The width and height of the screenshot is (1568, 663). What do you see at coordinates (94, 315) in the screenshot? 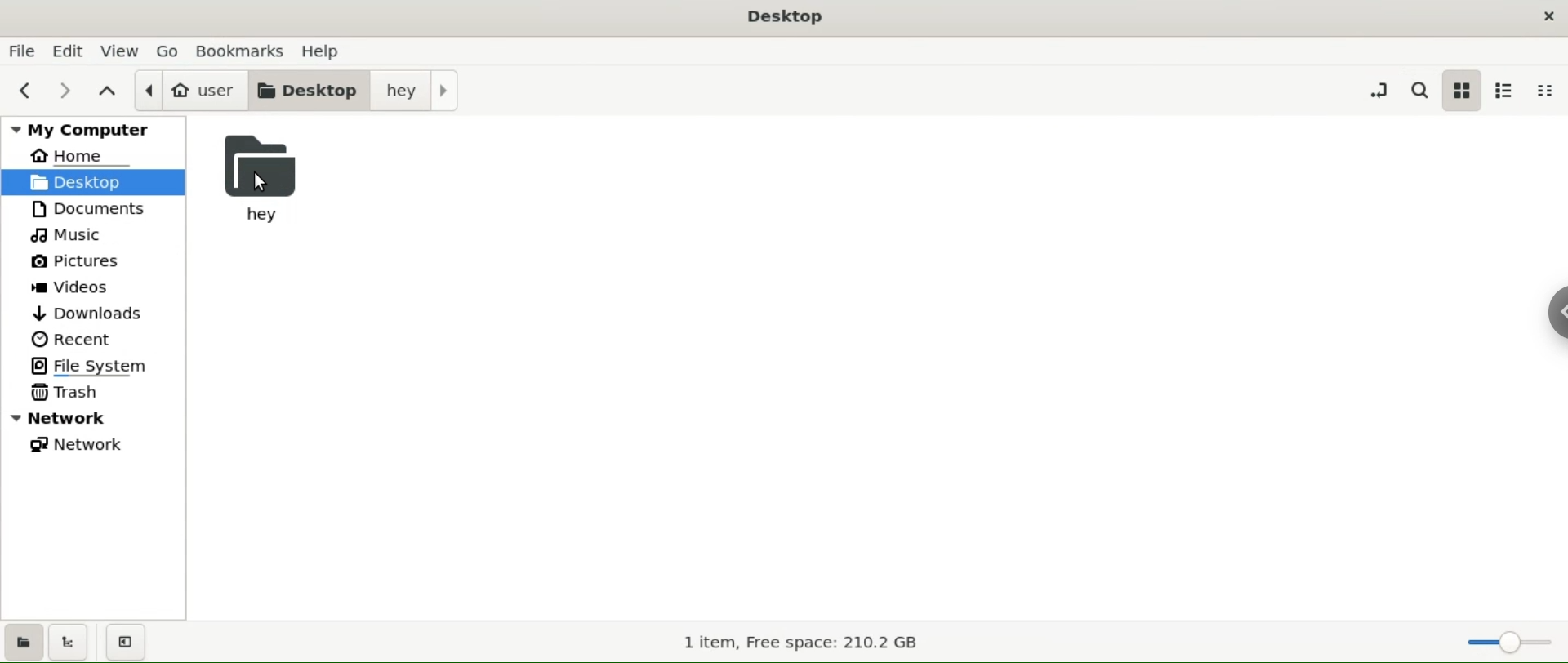
I see `downloads` at bounding box center [94, 315].